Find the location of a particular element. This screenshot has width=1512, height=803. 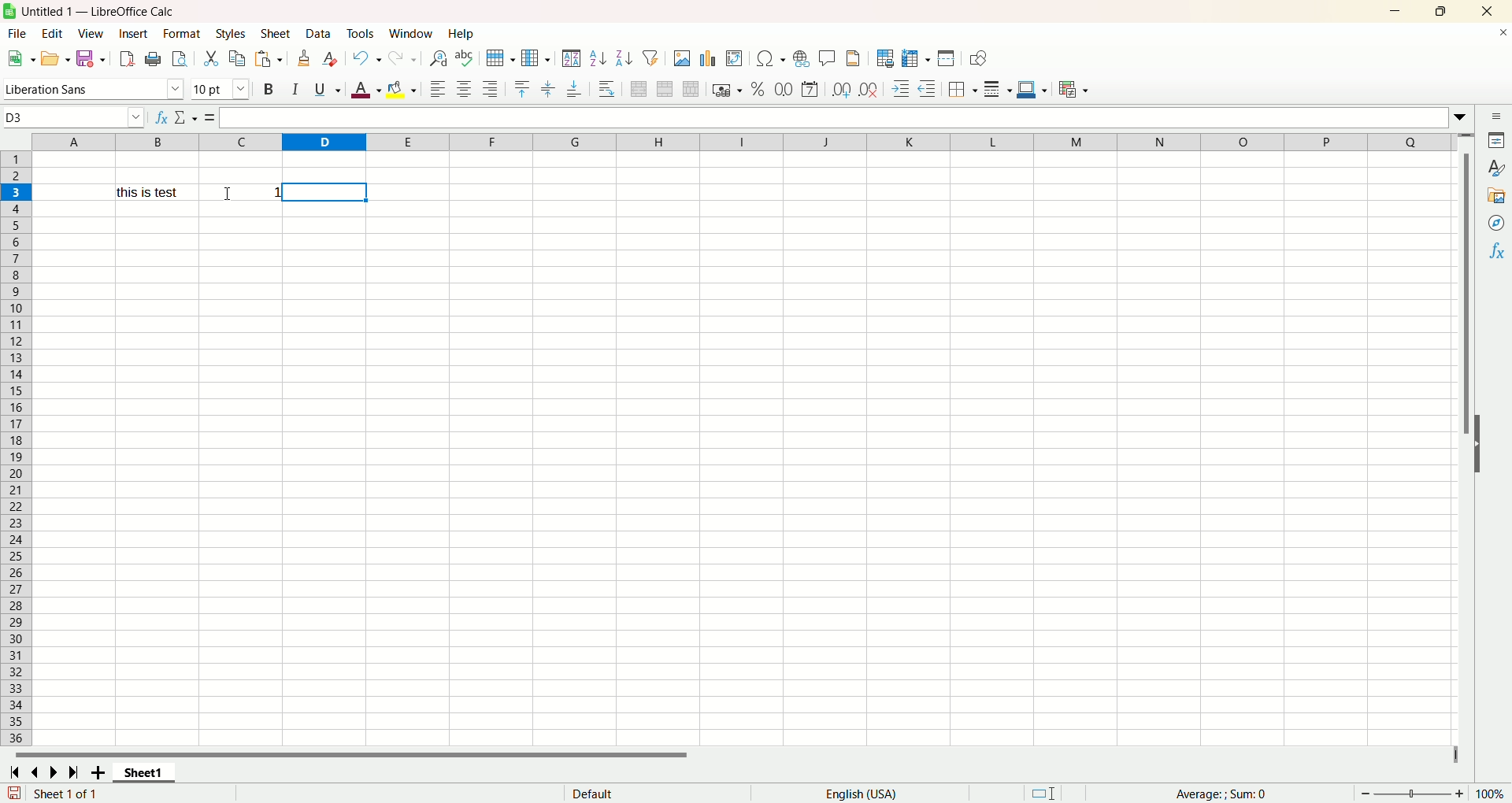

background color is located at coordinates (403, 87).